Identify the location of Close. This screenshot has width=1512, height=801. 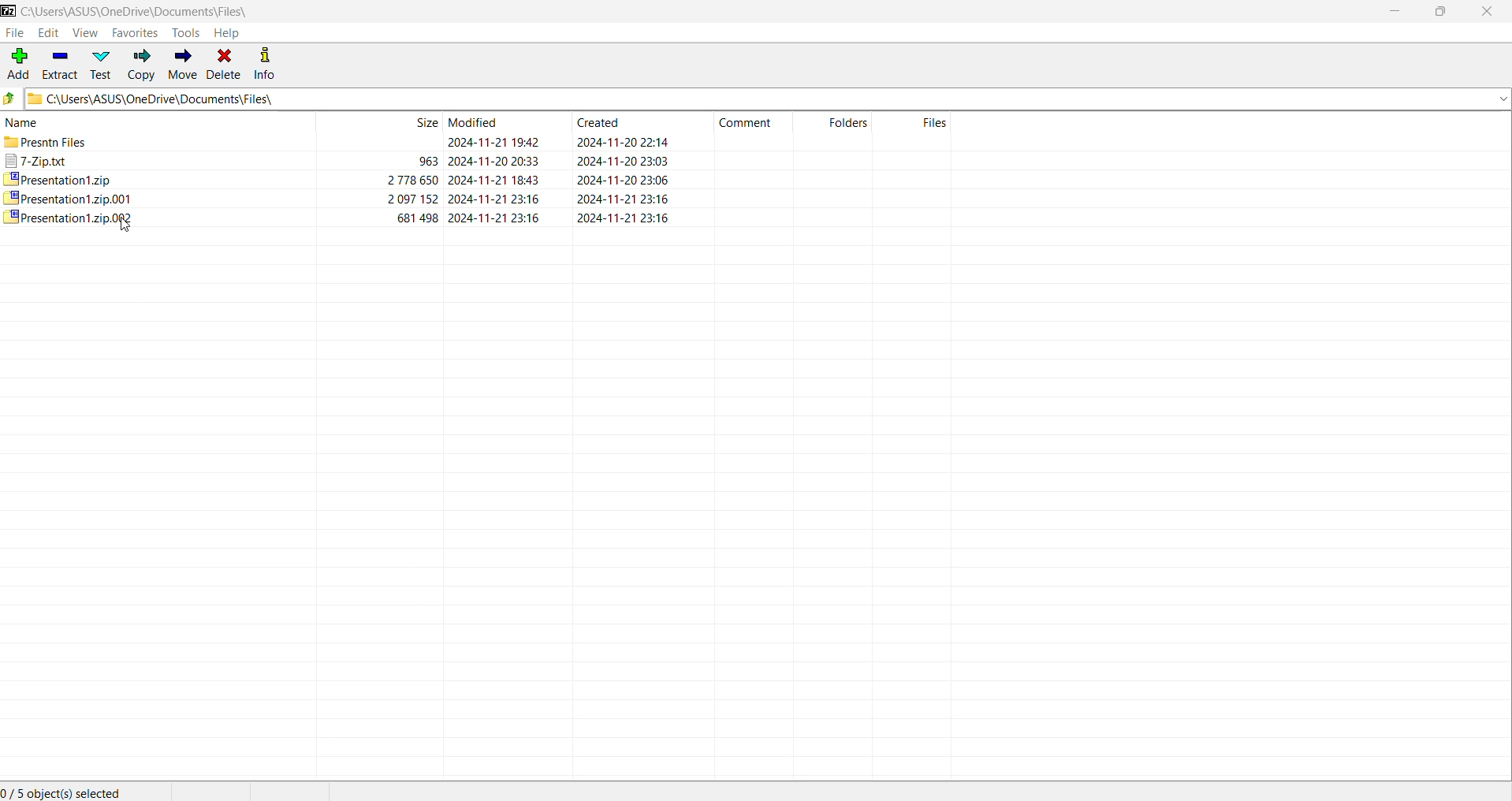
(1488, 12).